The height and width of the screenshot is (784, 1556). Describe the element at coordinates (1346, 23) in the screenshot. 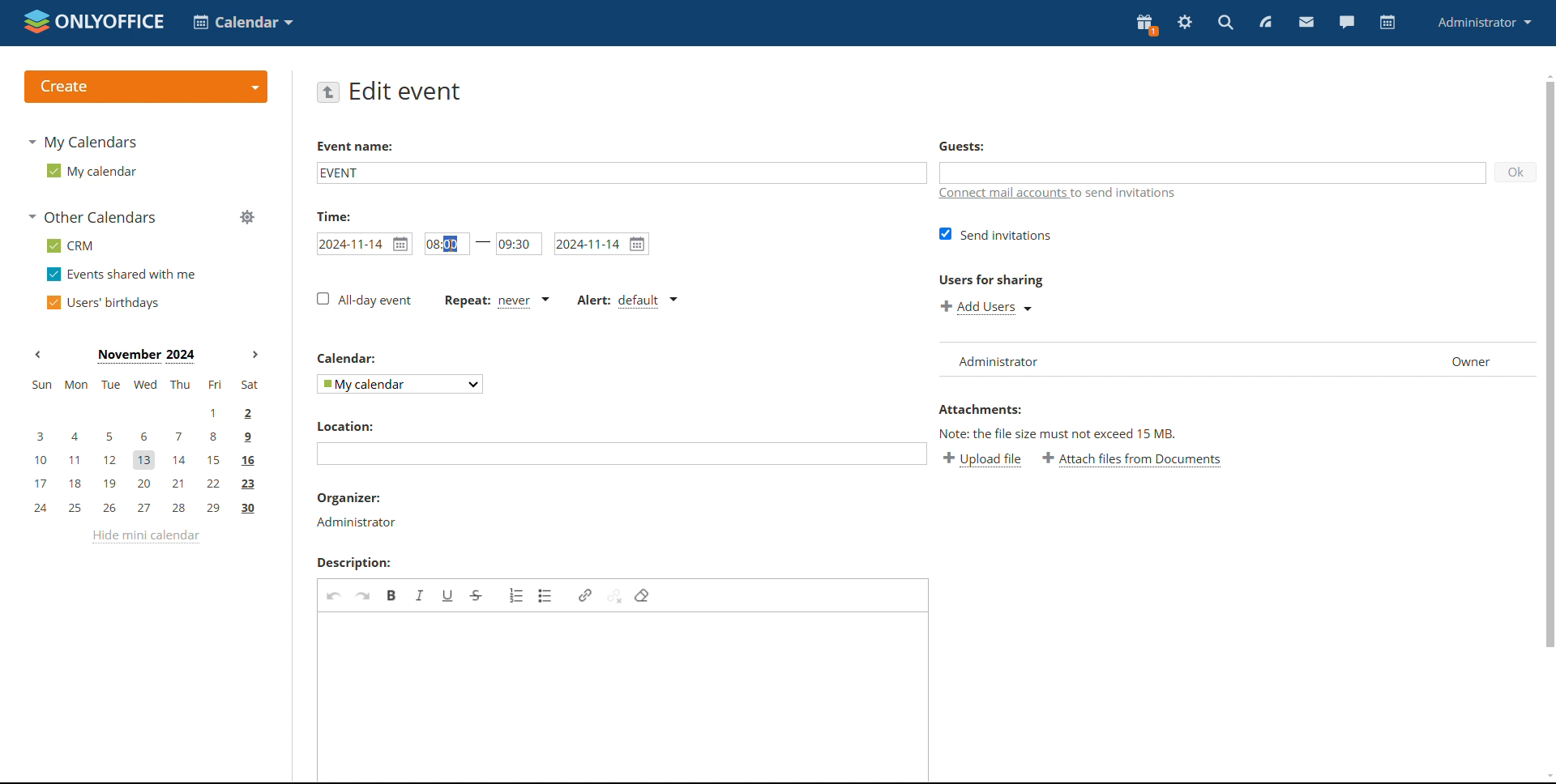

I see `chat` at that location.